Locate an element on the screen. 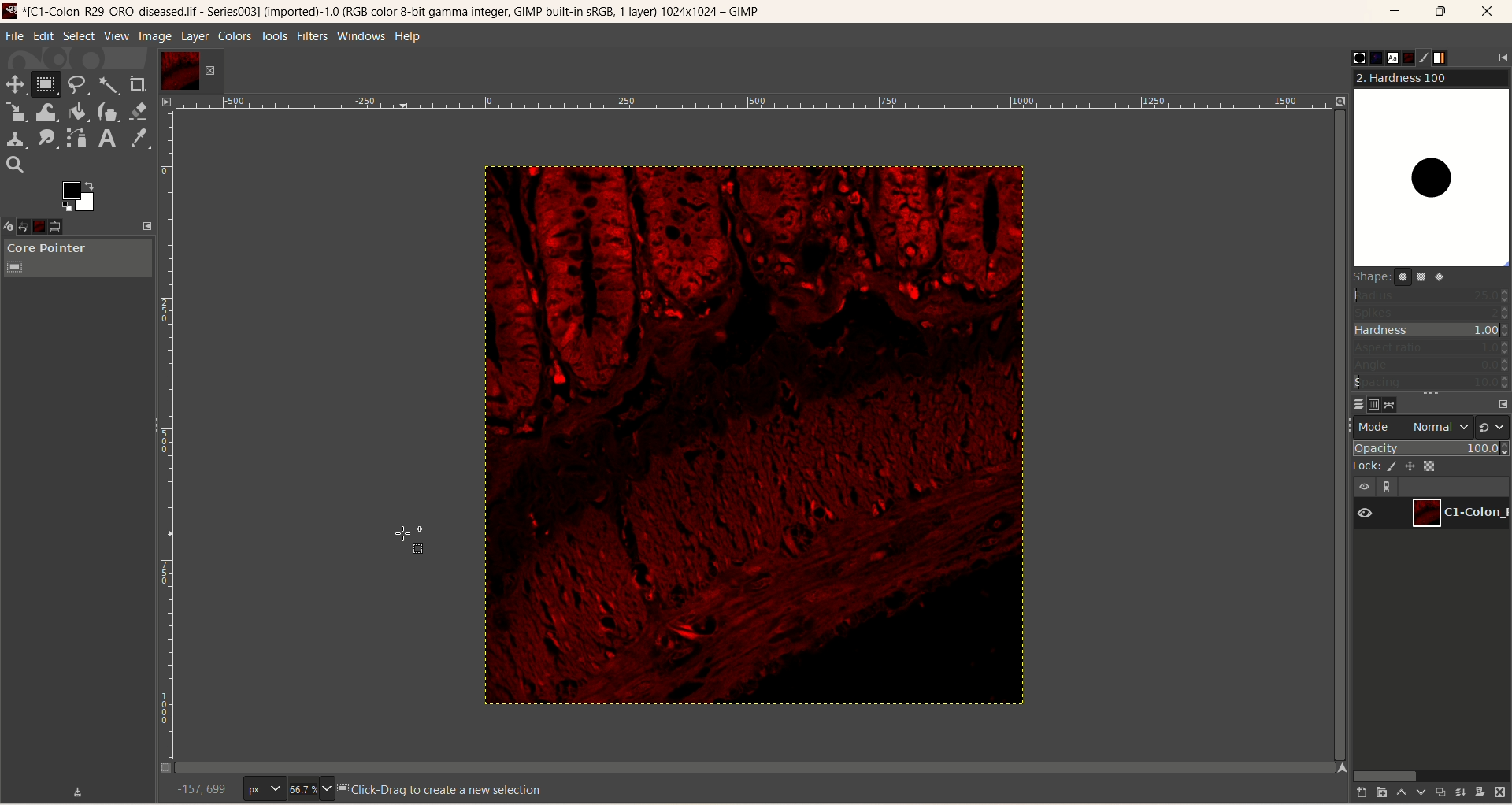 This screenshot has height=805, width=1512. image is located at coordinates (155, 37).